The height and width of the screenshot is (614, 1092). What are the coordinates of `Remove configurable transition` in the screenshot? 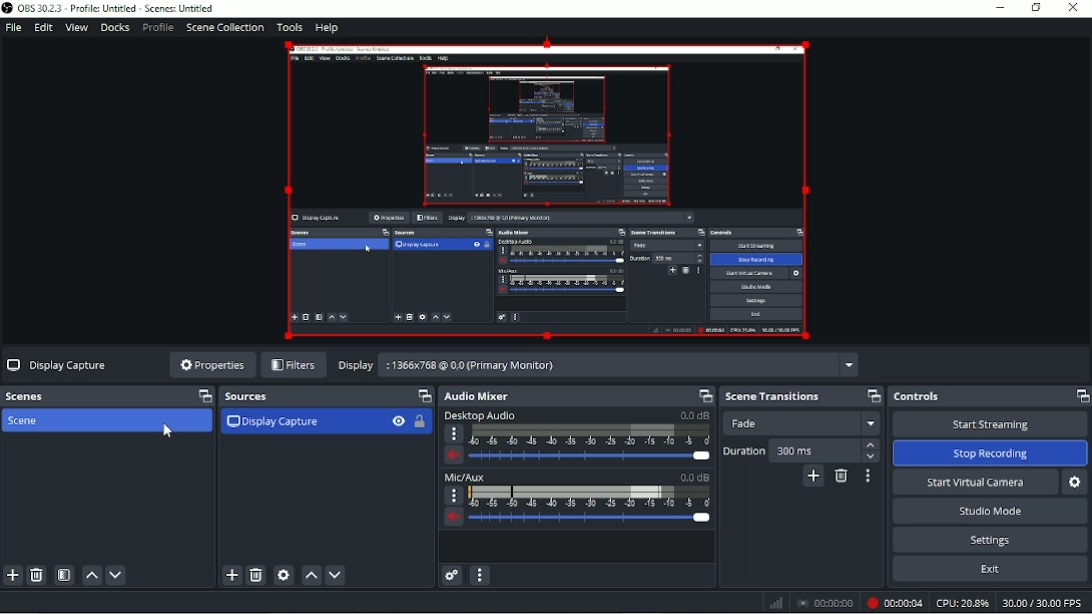 It's located at (841, 478).